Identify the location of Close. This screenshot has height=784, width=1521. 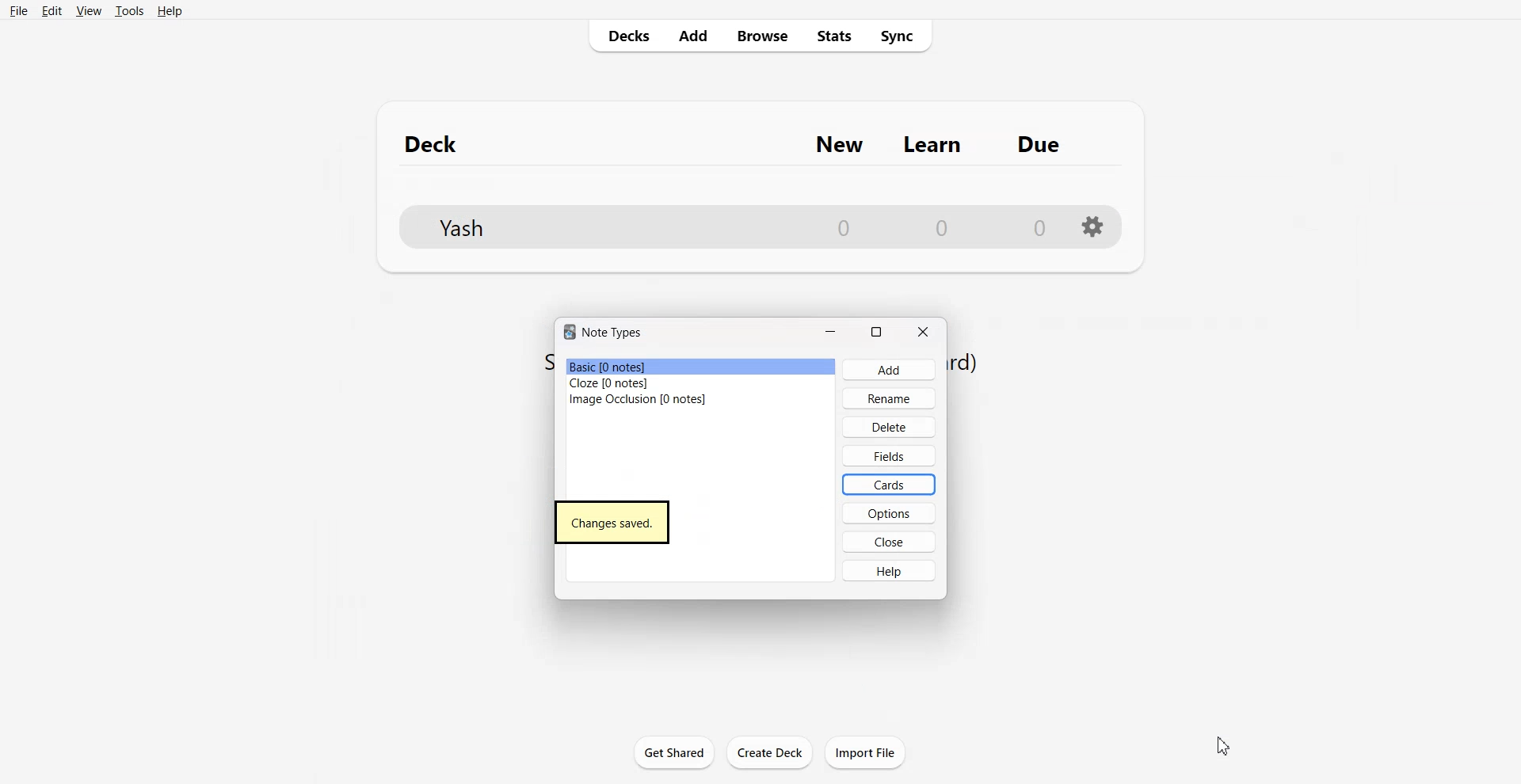
(921, 331).